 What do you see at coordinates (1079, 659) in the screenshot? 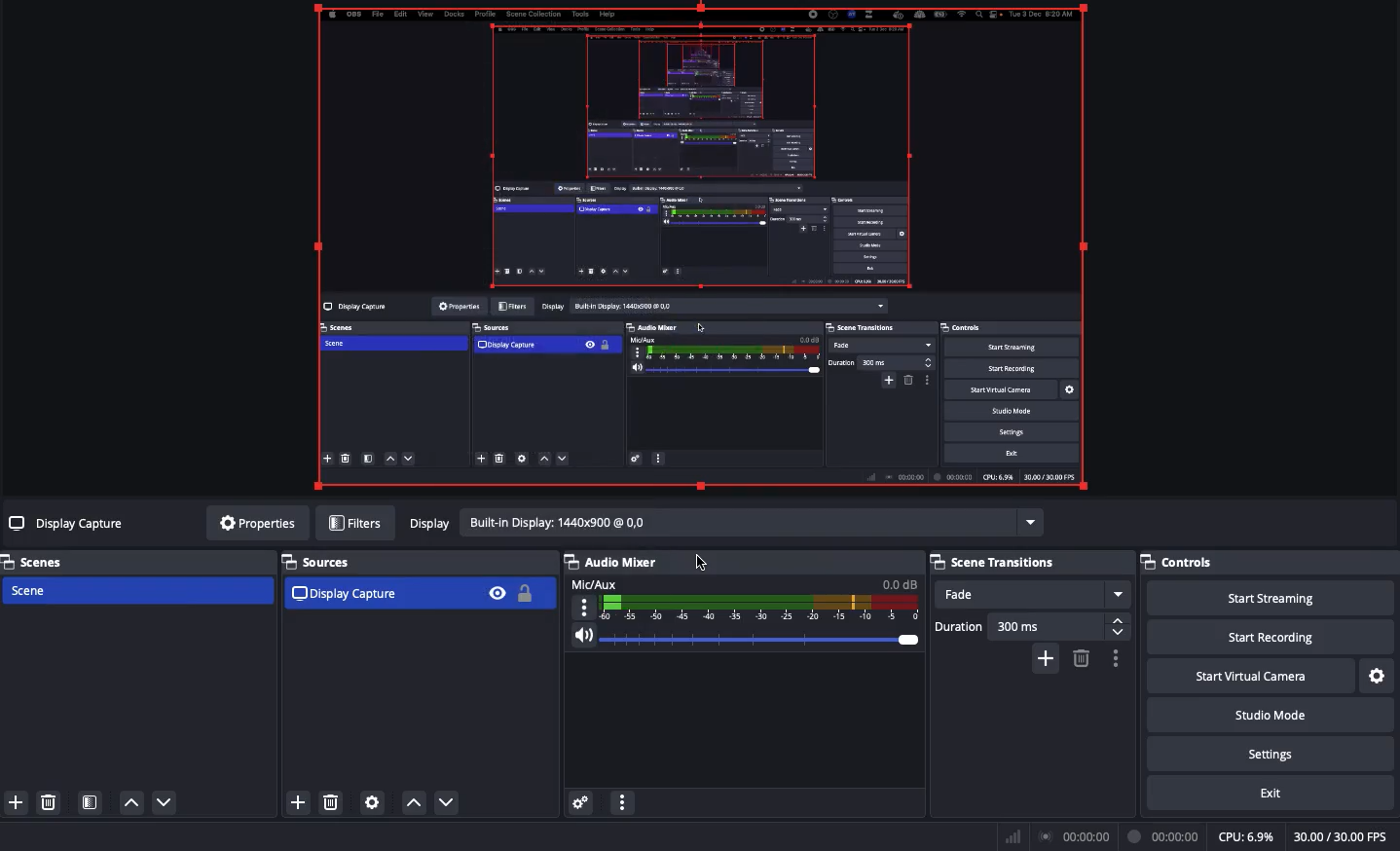
I see `delete` at bounding box center [1079, 659].